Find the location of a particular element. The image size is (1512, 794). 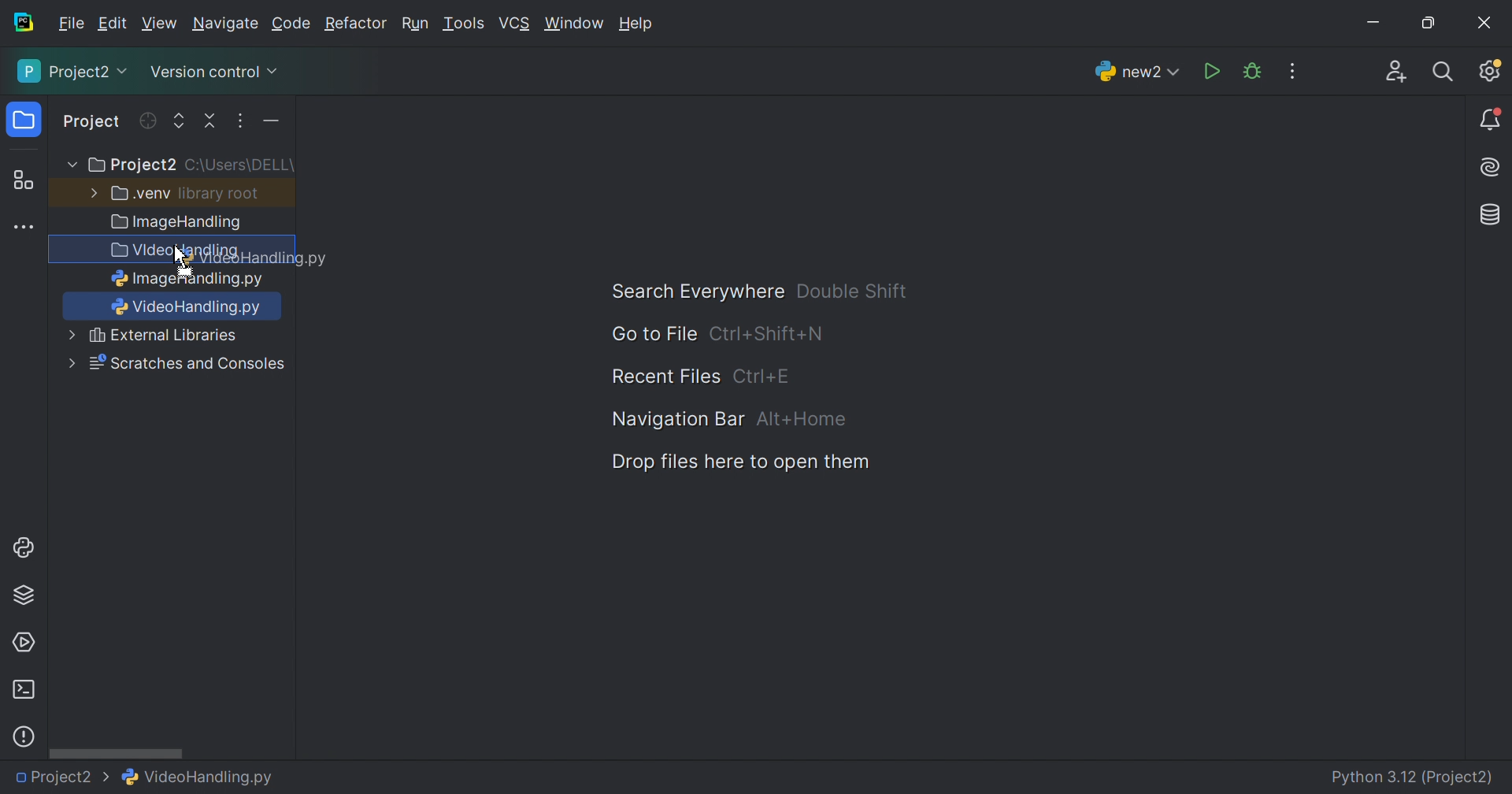

Notifications is located at coordinates (1492, 121).